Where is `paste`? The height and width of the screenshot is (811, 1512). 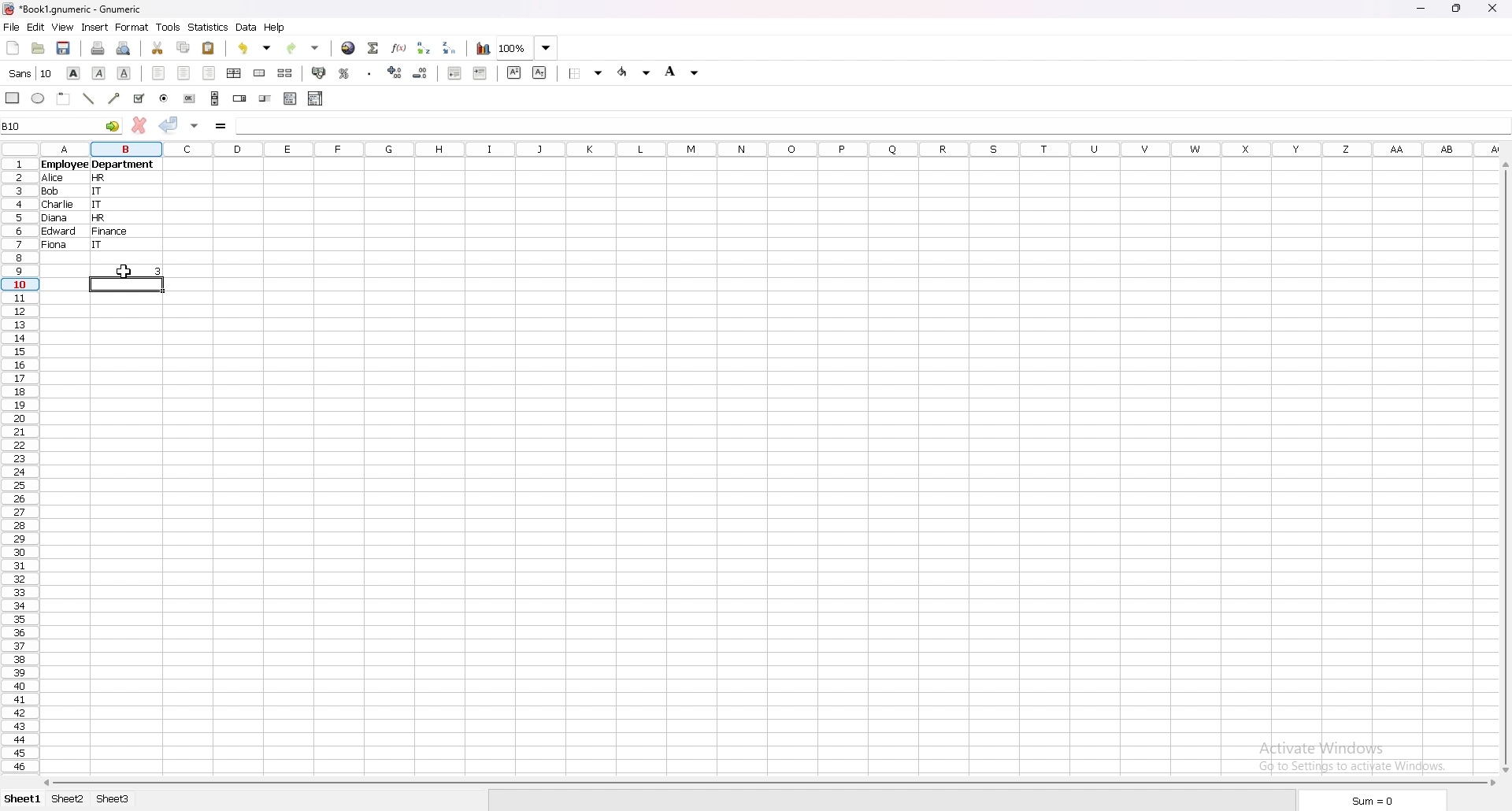
paste is located at coordinates (209, 48).